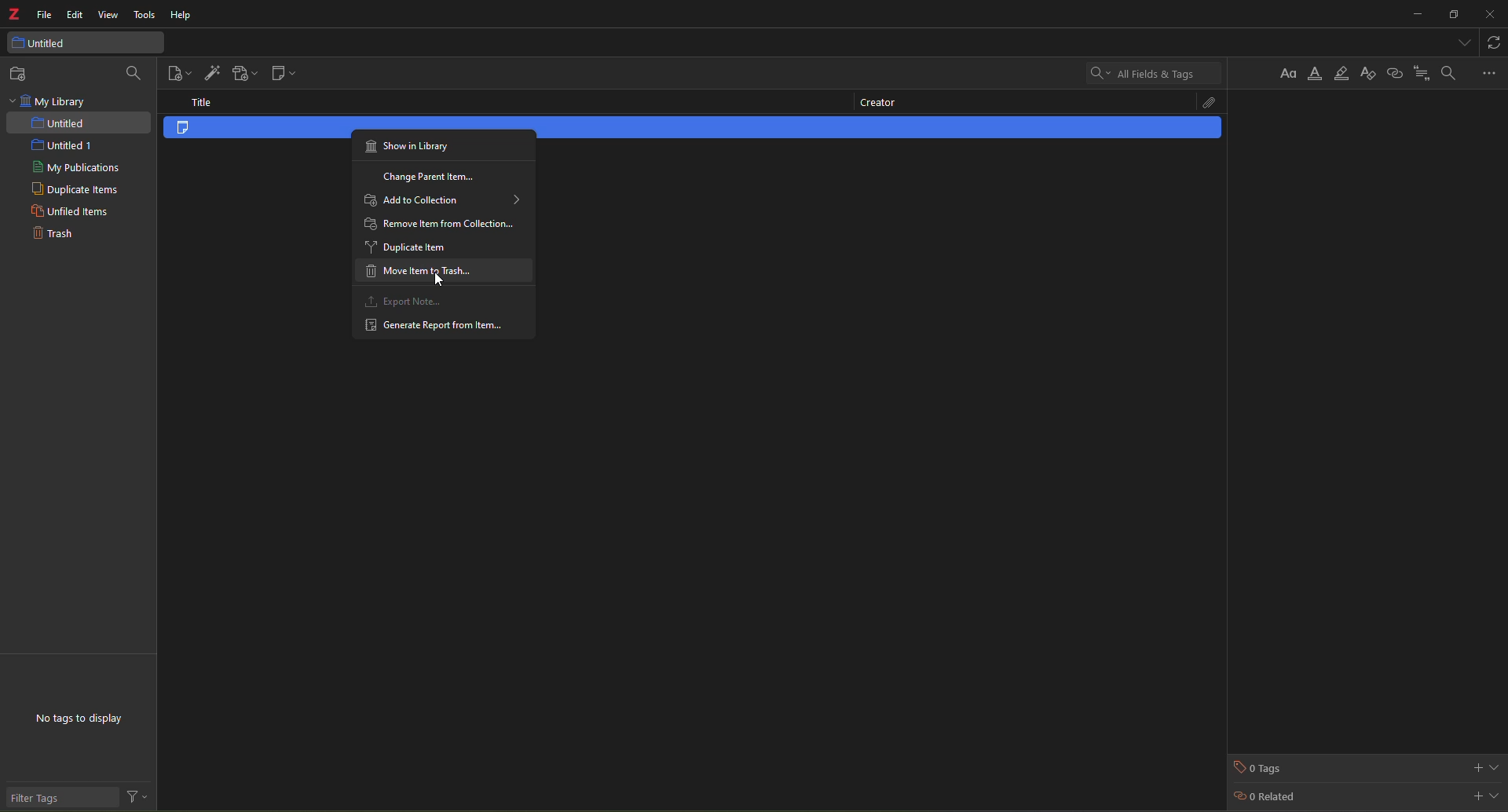 Image resolution: width=1508 pixels, height=812 pixels. What do you see at coordinates (244, 73) in the screenshot?
I see `add attachment` at bounding box center [244, 73].